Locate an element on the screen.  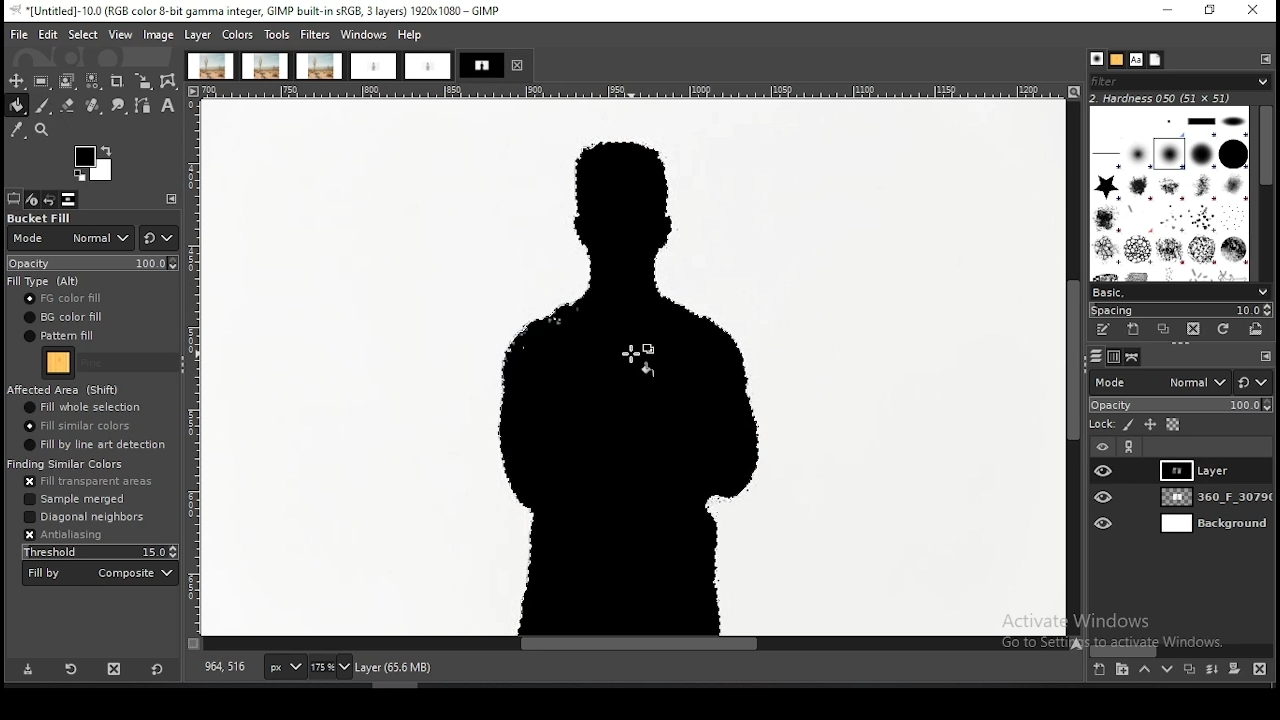
save tool preset is located at coordinates (27, 669).